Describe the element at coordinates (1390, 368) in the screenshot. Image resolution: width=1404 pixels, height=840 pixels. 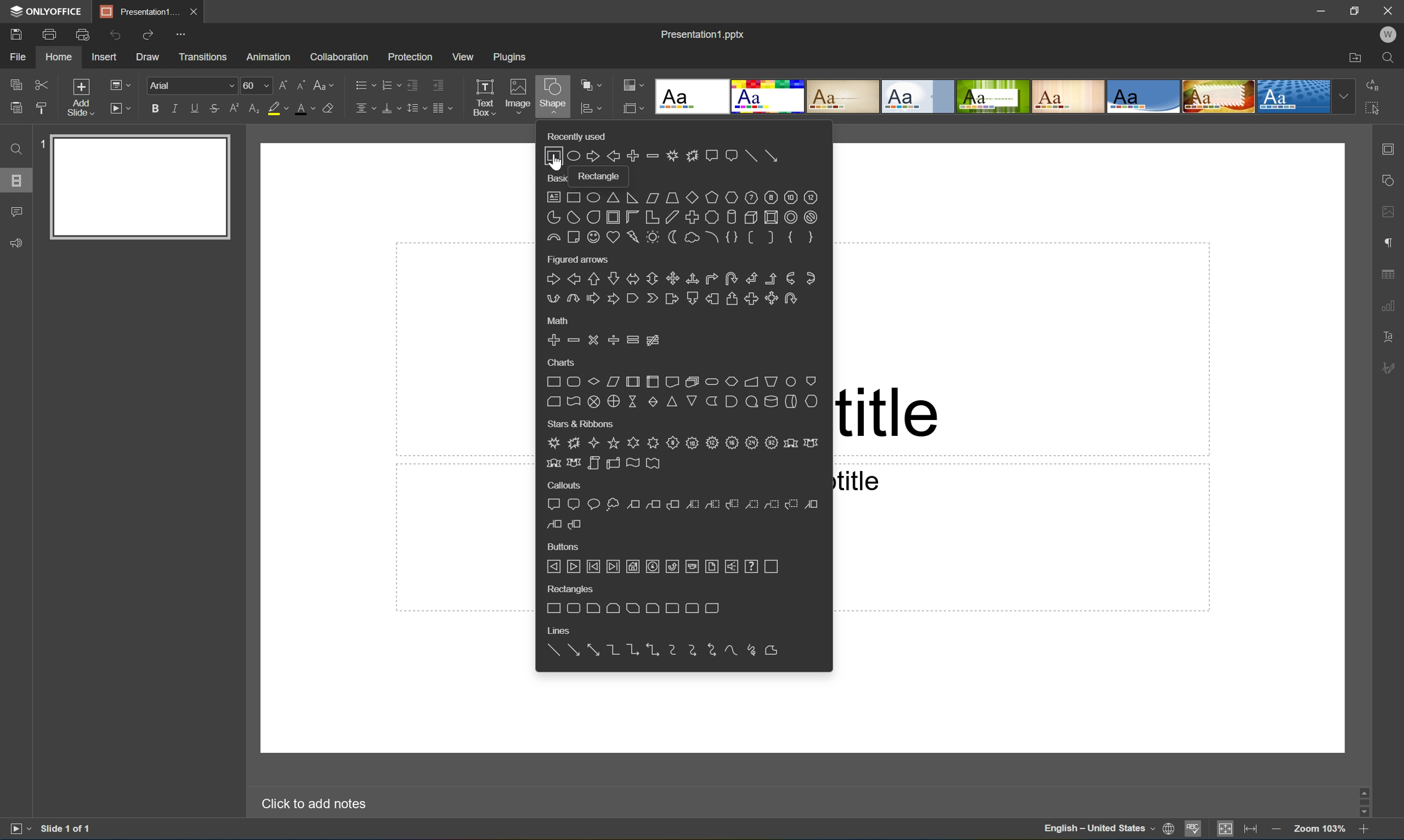
I see `signature settings` at that location.